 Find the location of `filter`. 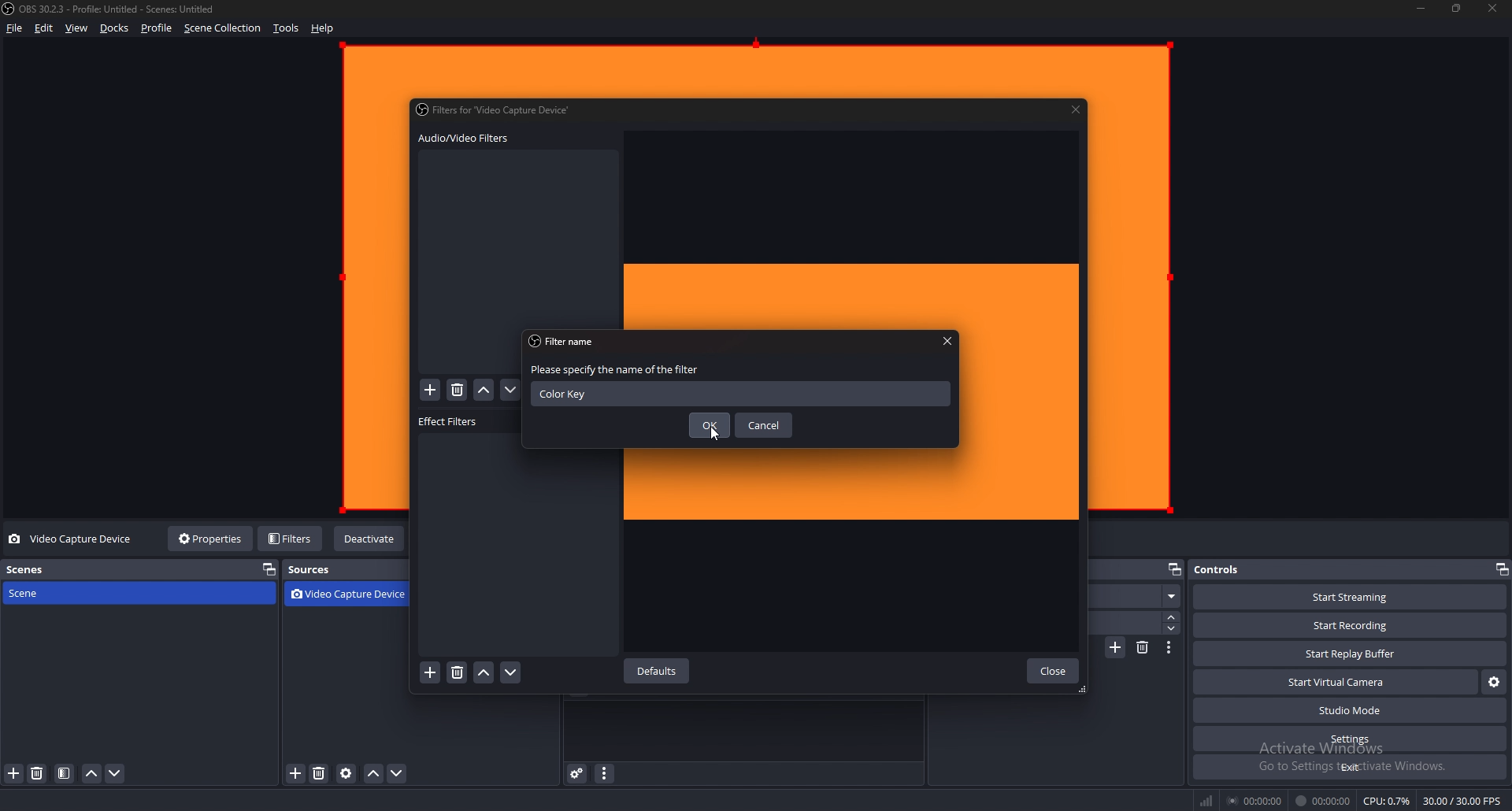

filter is located at coordinates (65, 774).